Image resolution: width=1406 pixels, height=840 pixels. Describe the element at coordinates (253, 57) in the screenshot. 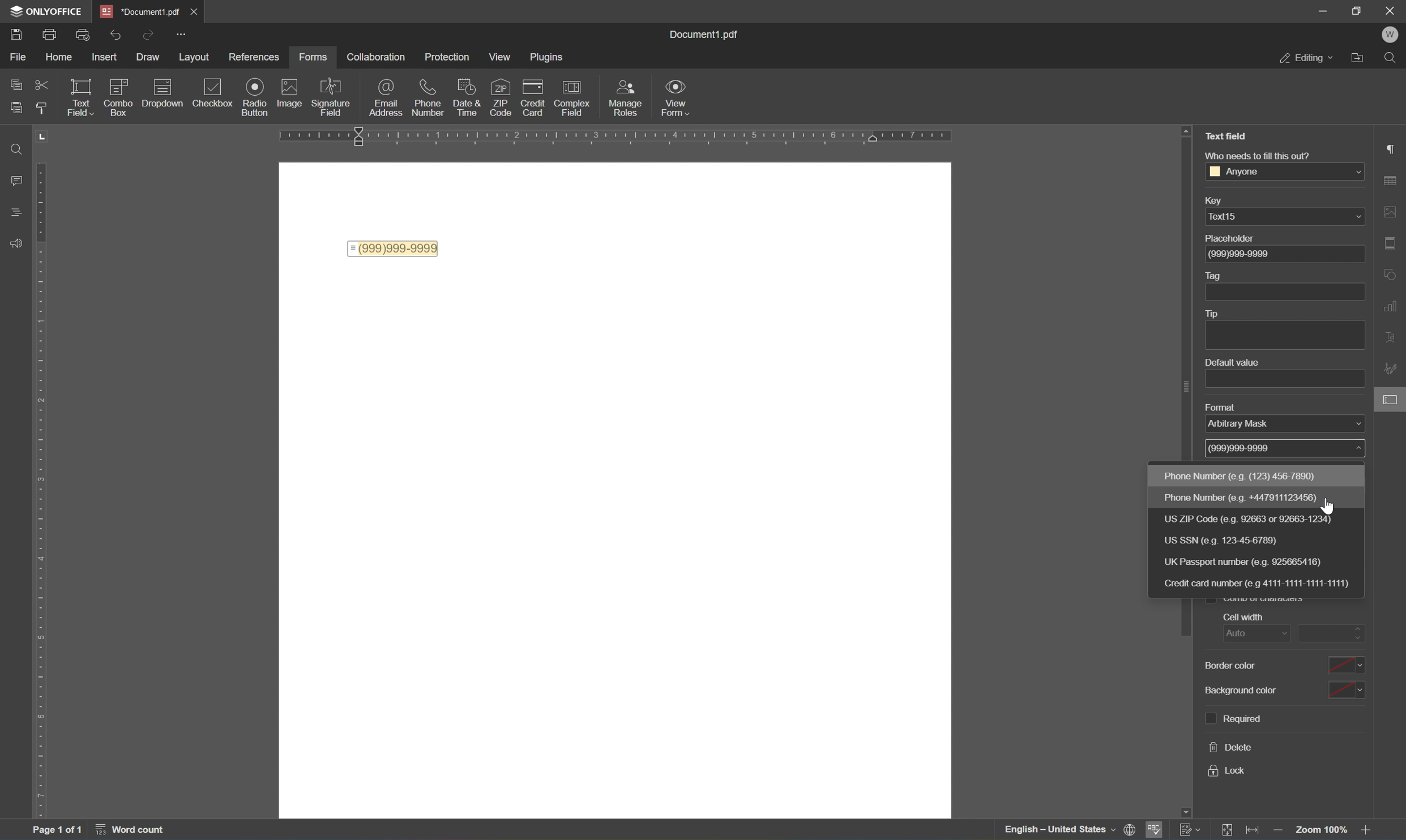

I see `references` at that location.